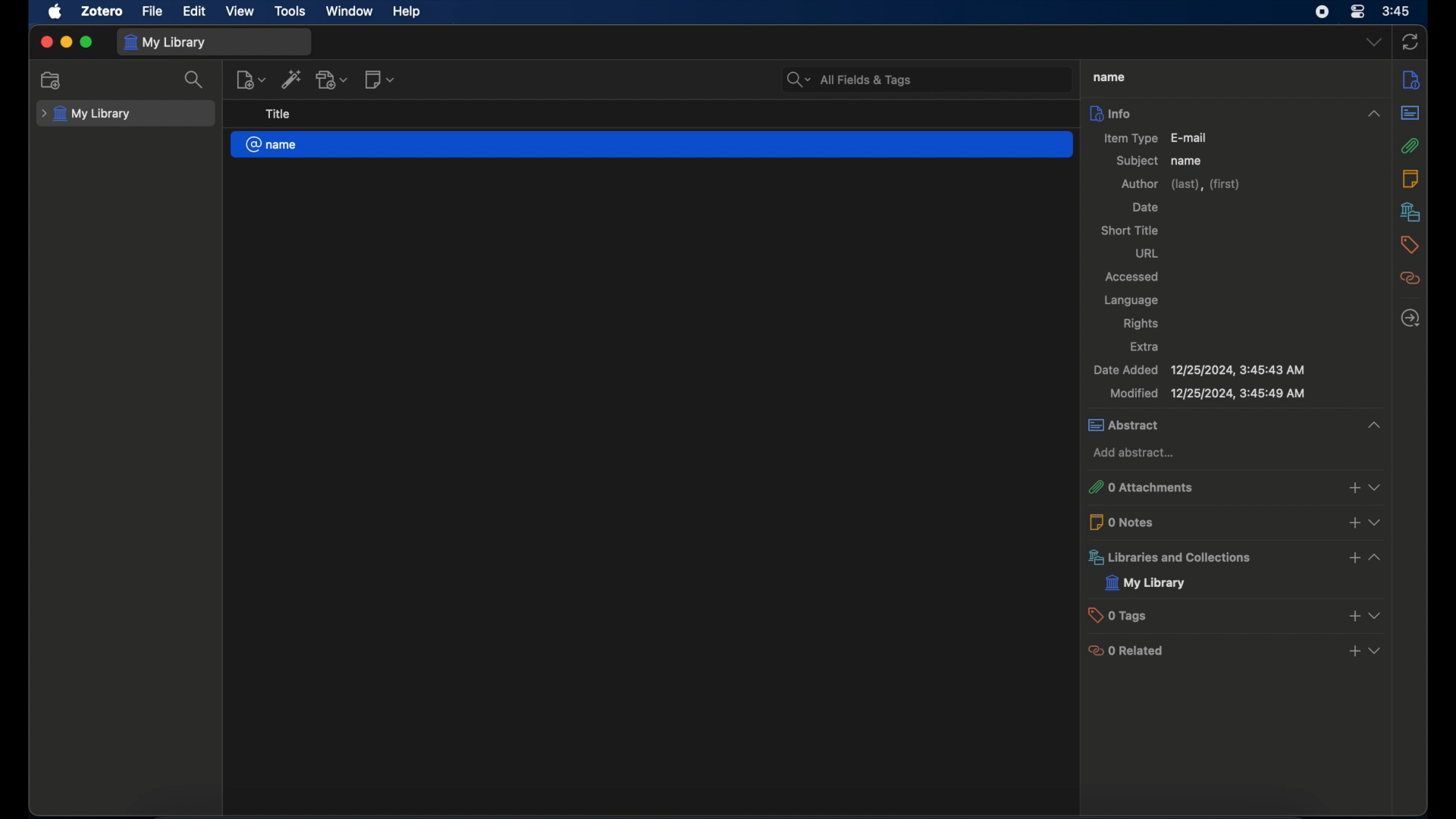  I want to click on window, so click(349, 11).